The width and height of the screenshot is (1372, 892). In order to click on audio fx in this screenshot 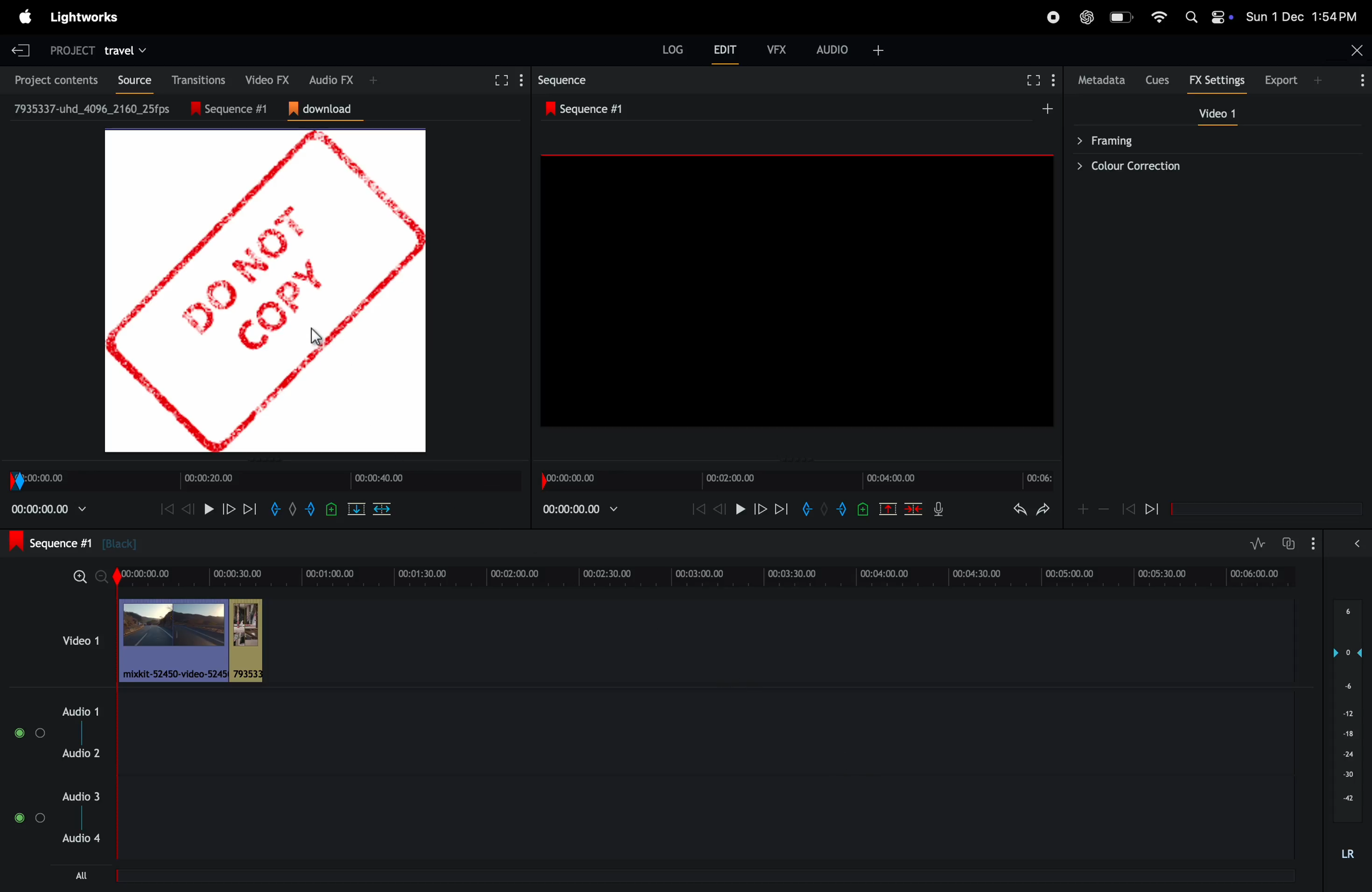, I will do `click(331, 79)`.